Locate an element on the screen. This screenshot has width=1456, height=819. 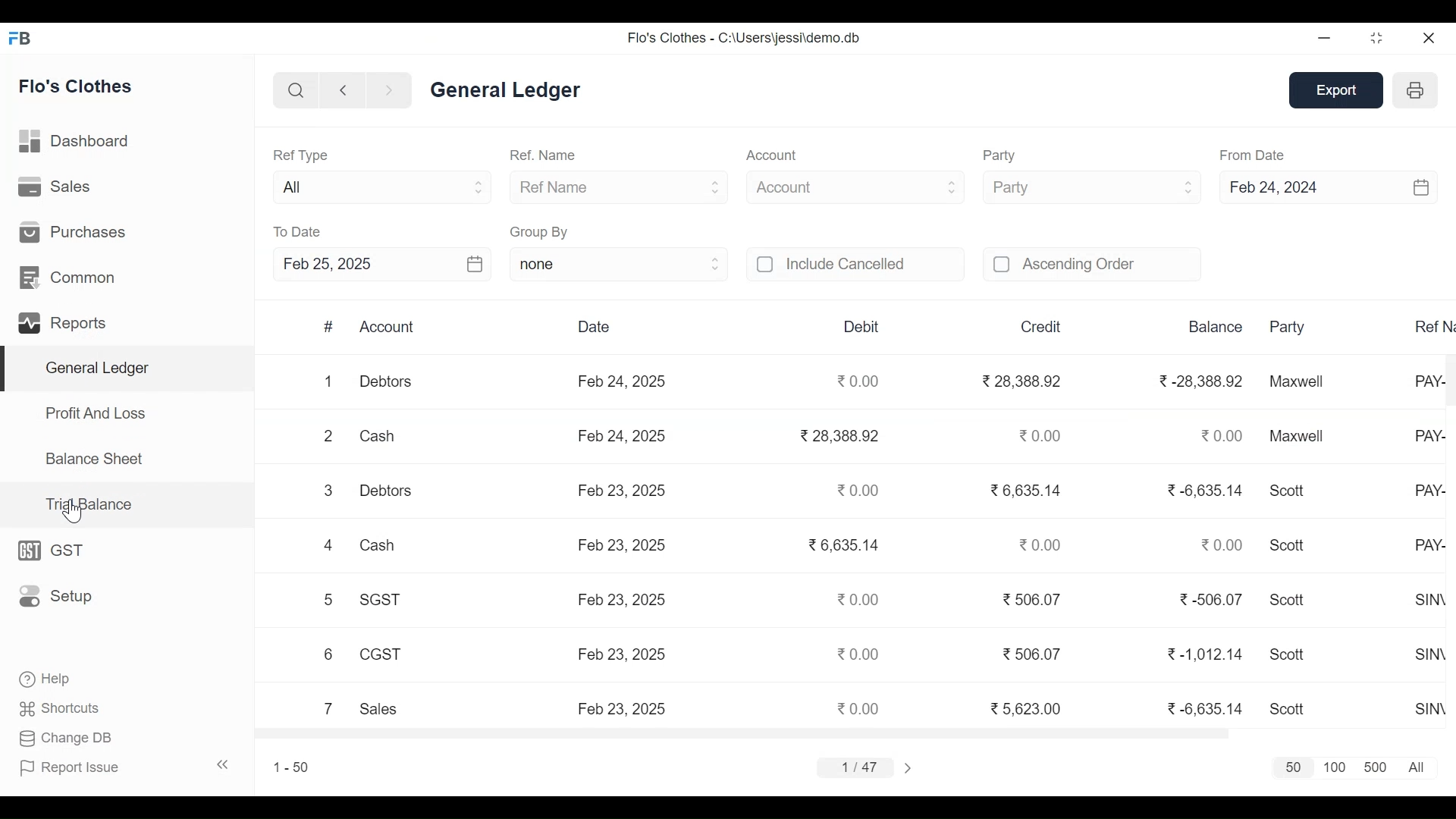
Balance is located at coordinates (1215, 327).